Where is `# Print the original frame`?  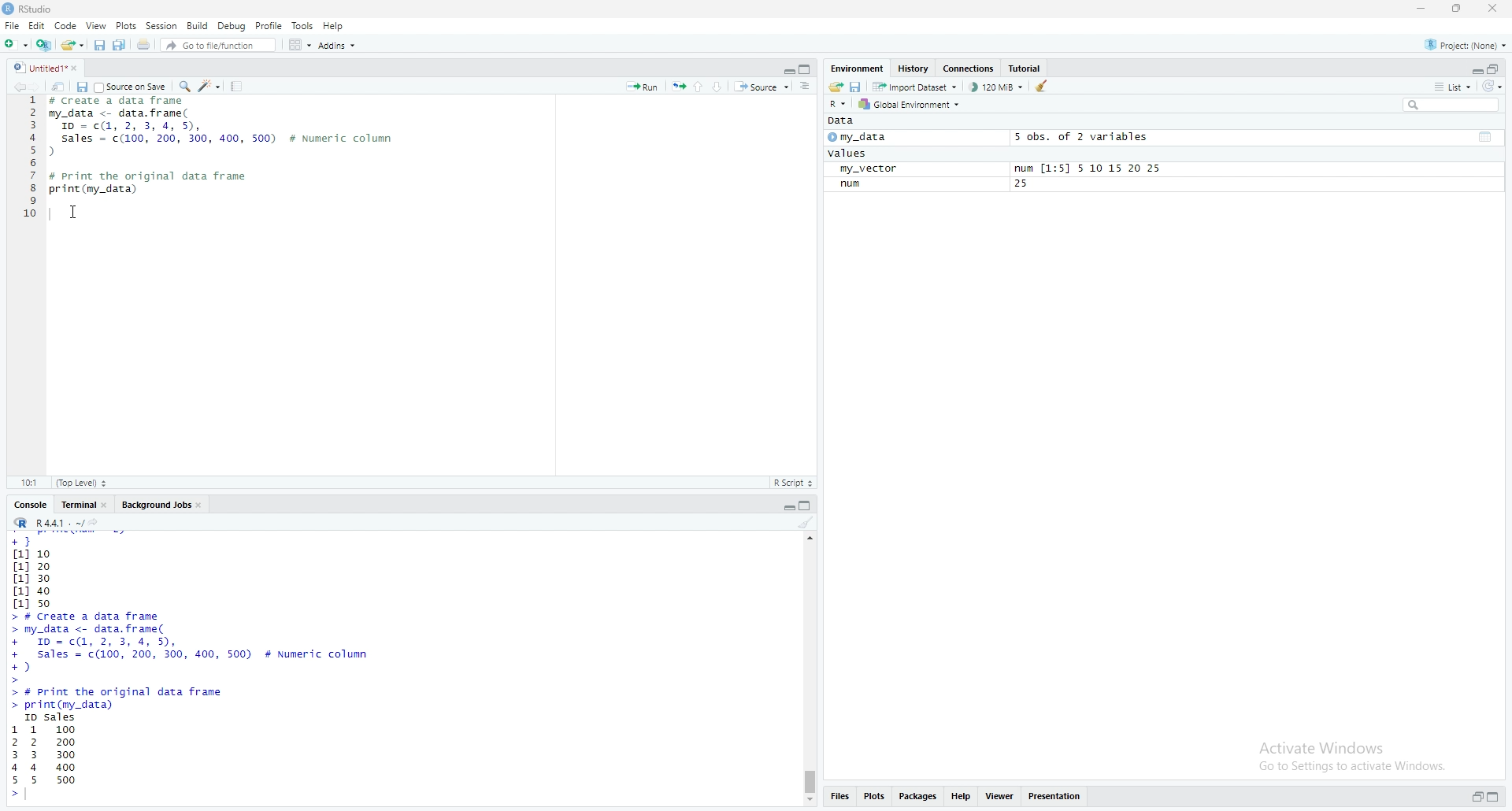
# Print the original frame is located at coordinates (165, 175).